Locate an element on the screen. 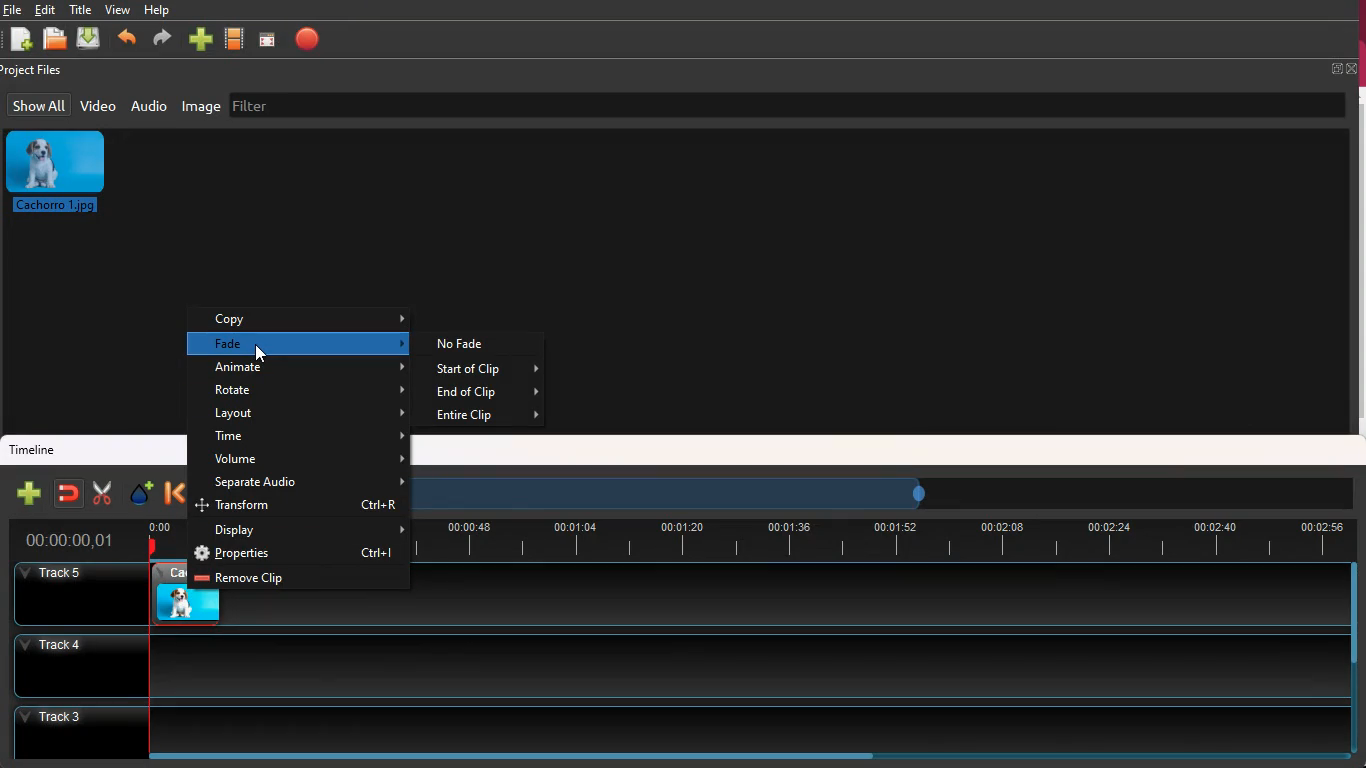 The height and width of the screenshot is (768, 1366). transform is located at coordinates (304, 507).